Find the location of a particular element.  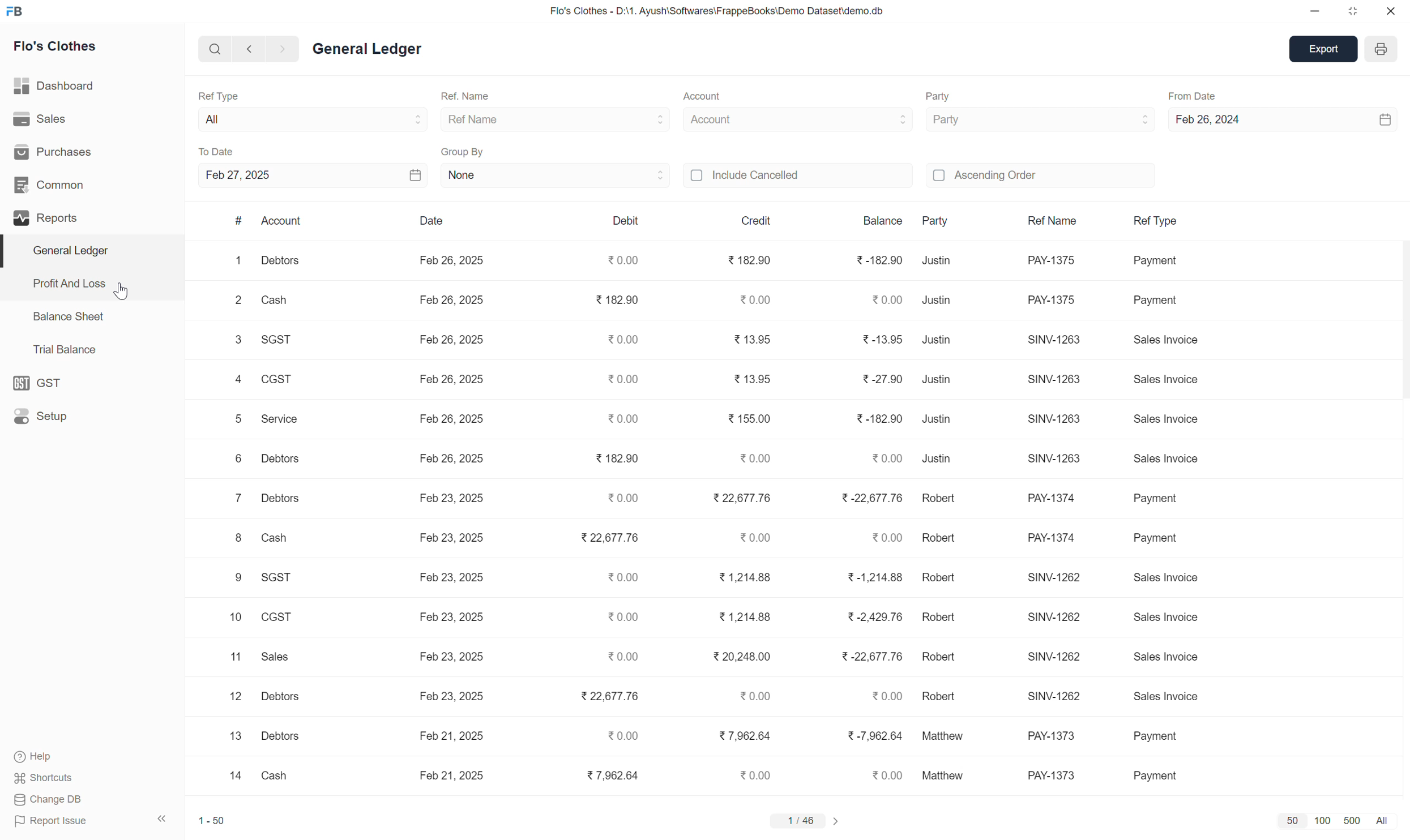

₹13.95 is located at coordinates (748, 341).